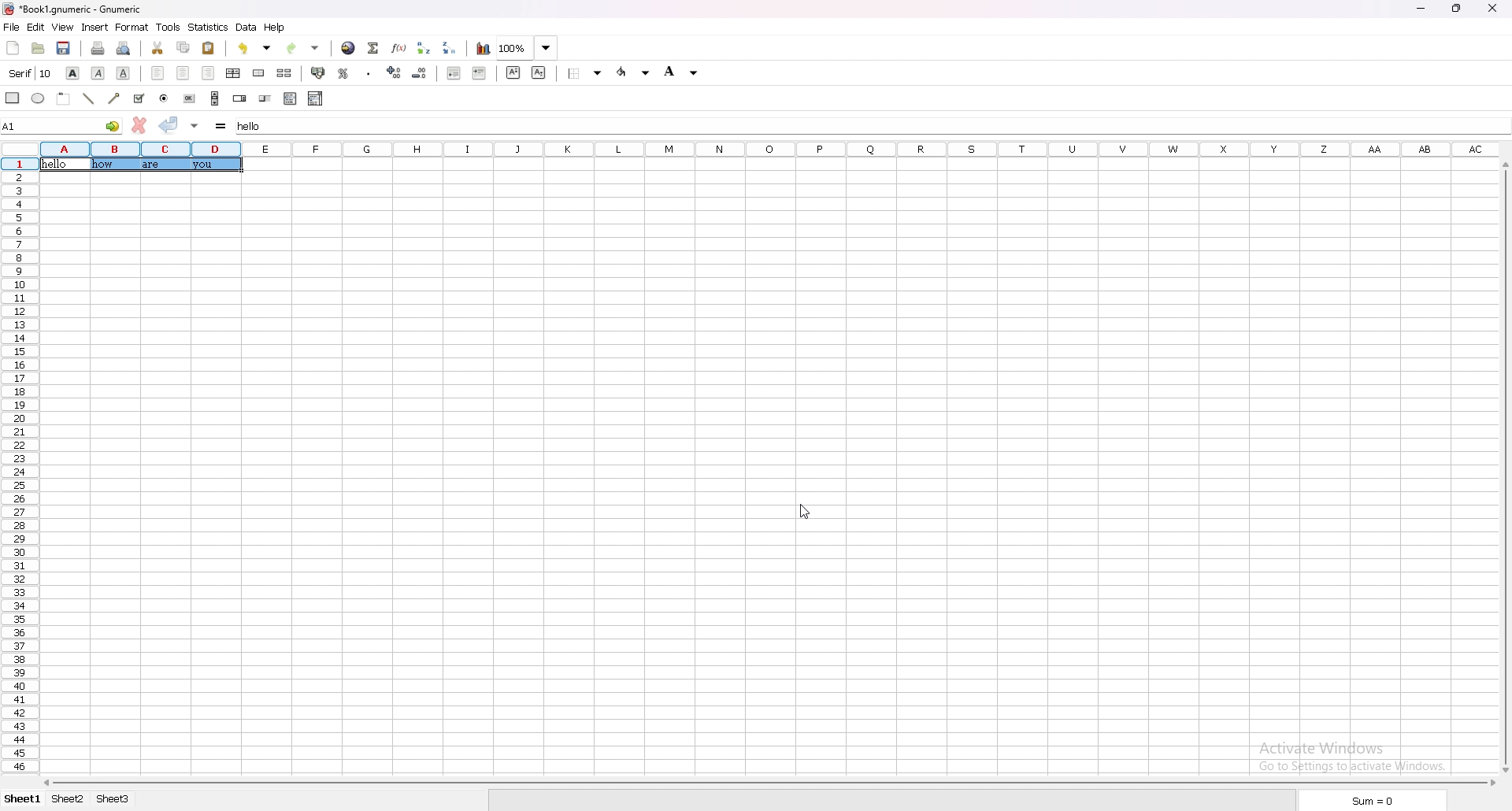 The height and width of the screenshot is (811, 1512). I want to click on file name, so click(73, 9).